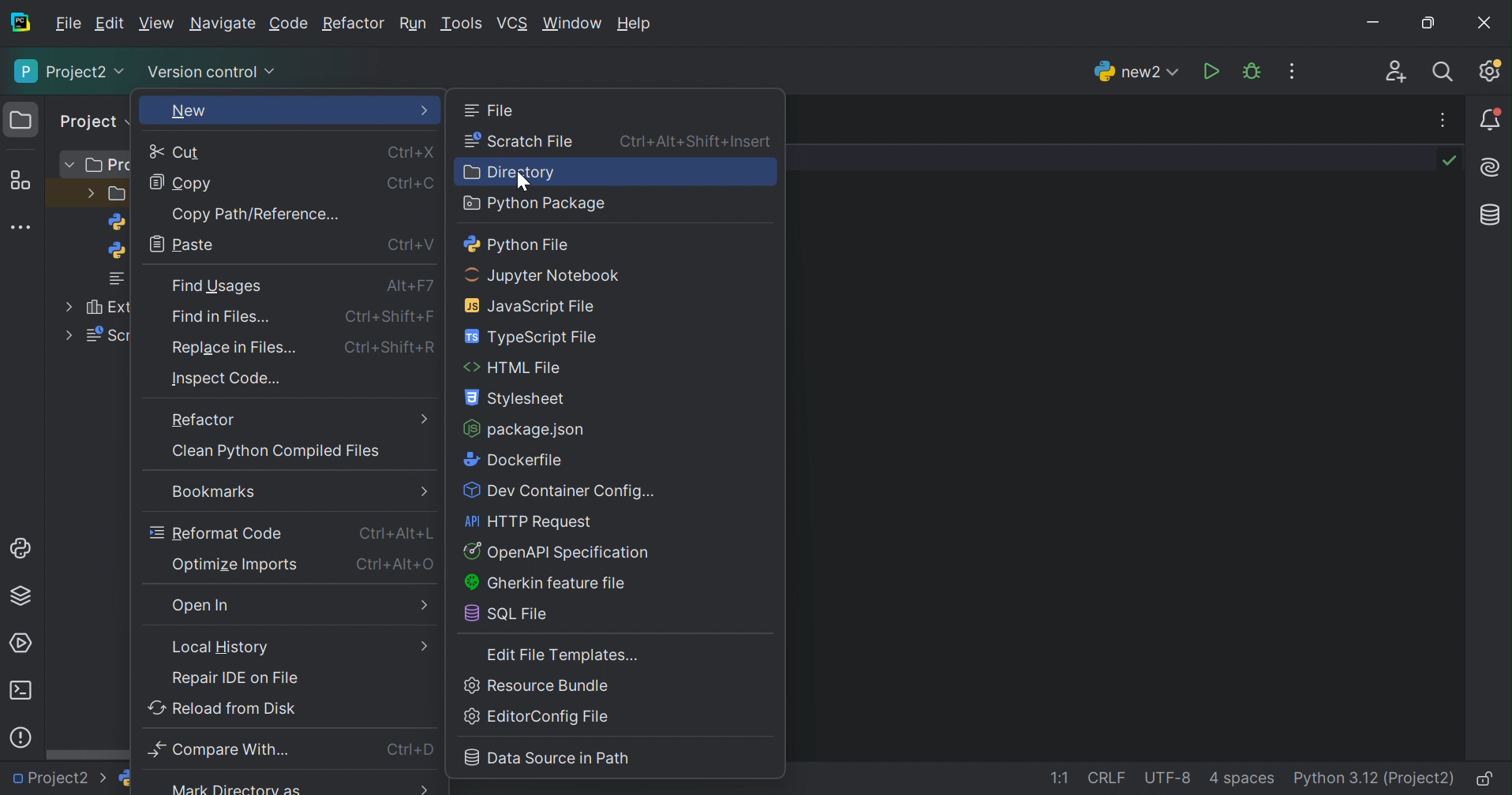 The width and height of the screenshot is (1512, 795). What do you see at coordinates (492, 110) in the screenshot?
I see `File` at bounding box center [492, 110].